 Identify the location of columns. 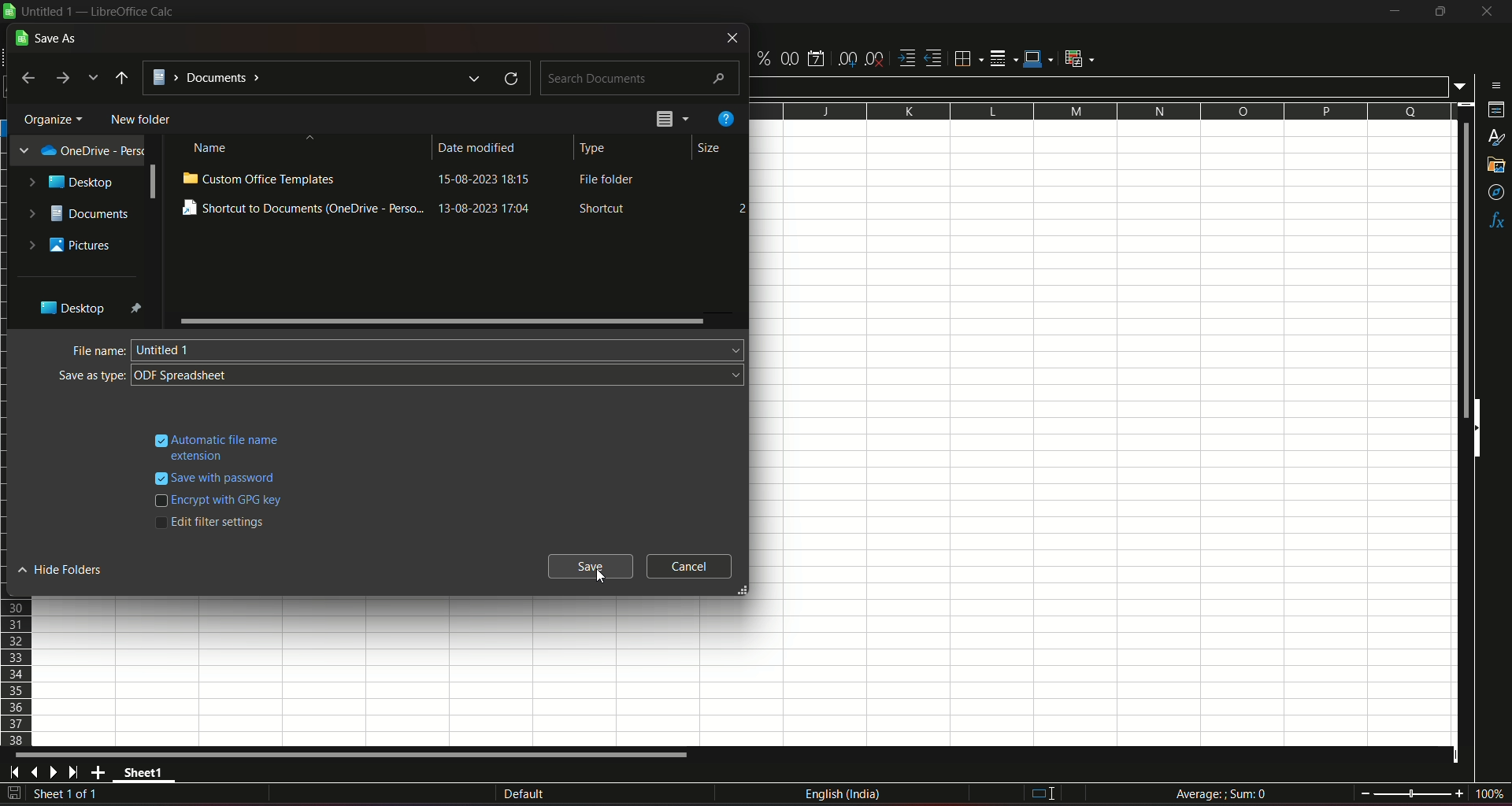
(1101, 112).